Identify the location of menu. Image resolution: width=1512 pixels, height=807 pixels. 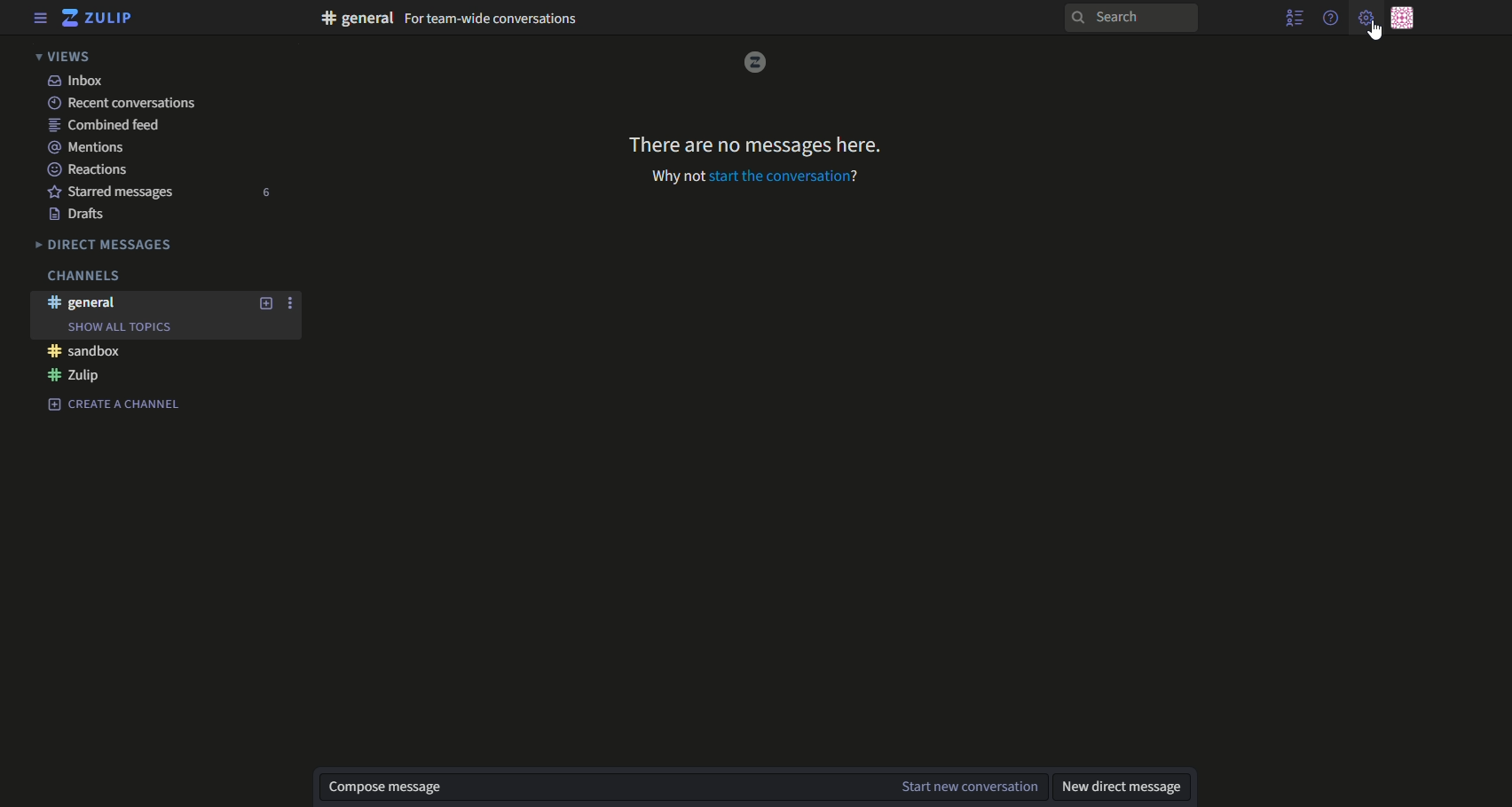
(41, 18).